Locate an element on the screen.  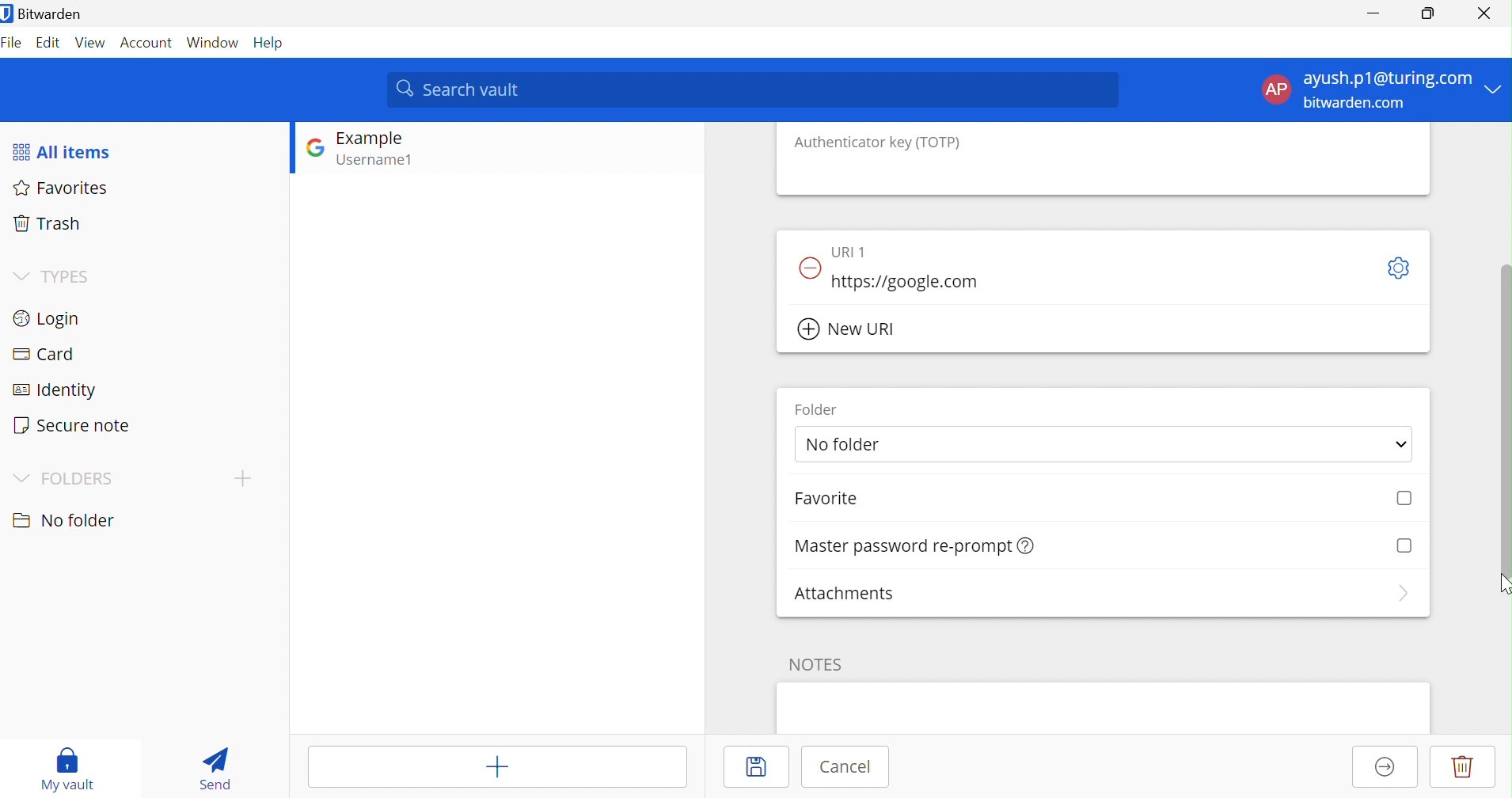
No folder is located at coordinates (848, 443).